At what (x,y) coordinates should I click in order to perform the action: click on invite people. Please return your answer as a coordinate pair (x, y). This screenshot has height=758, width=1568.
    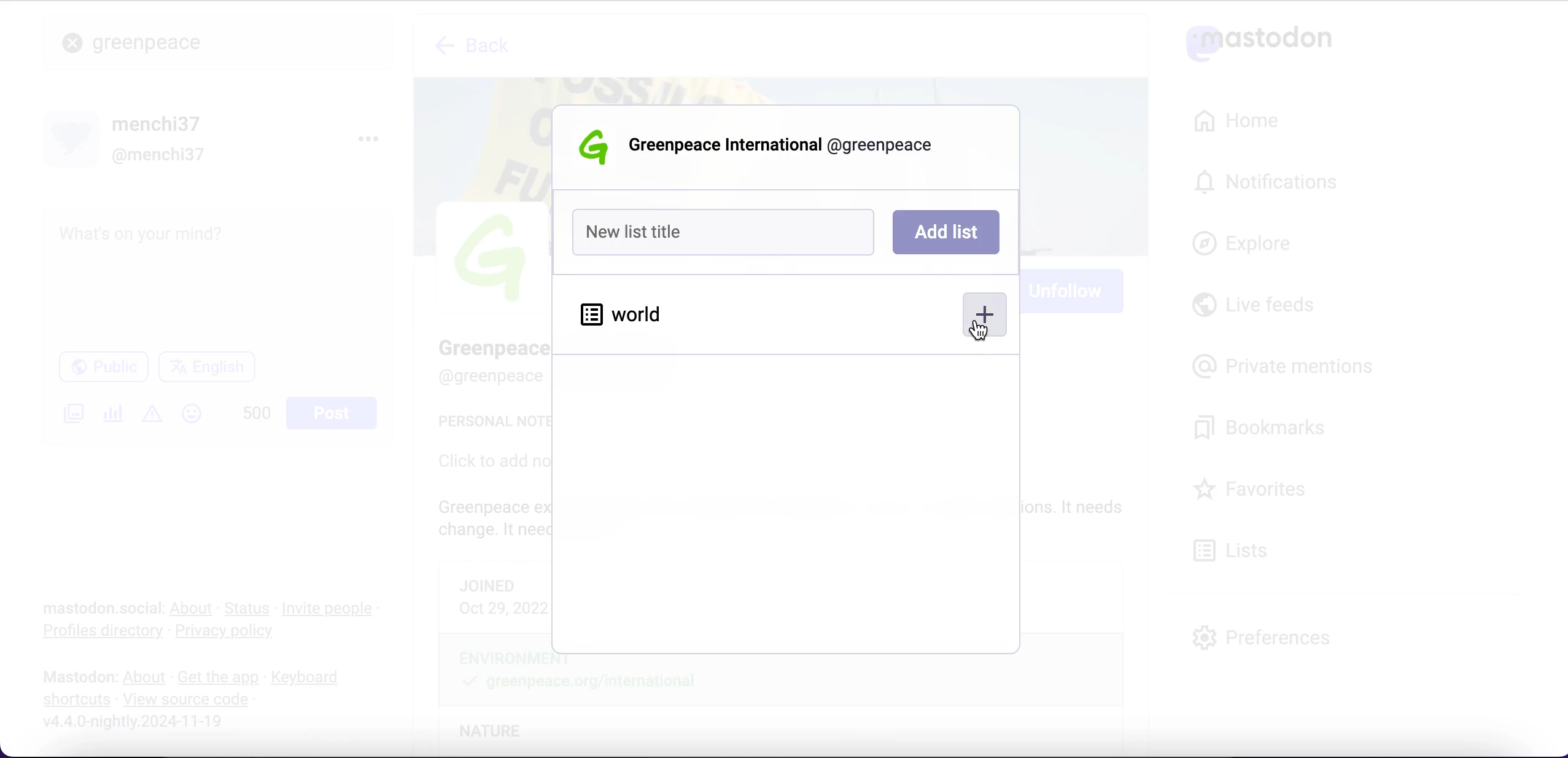
    Looking at the image, I should click on (334, 609).